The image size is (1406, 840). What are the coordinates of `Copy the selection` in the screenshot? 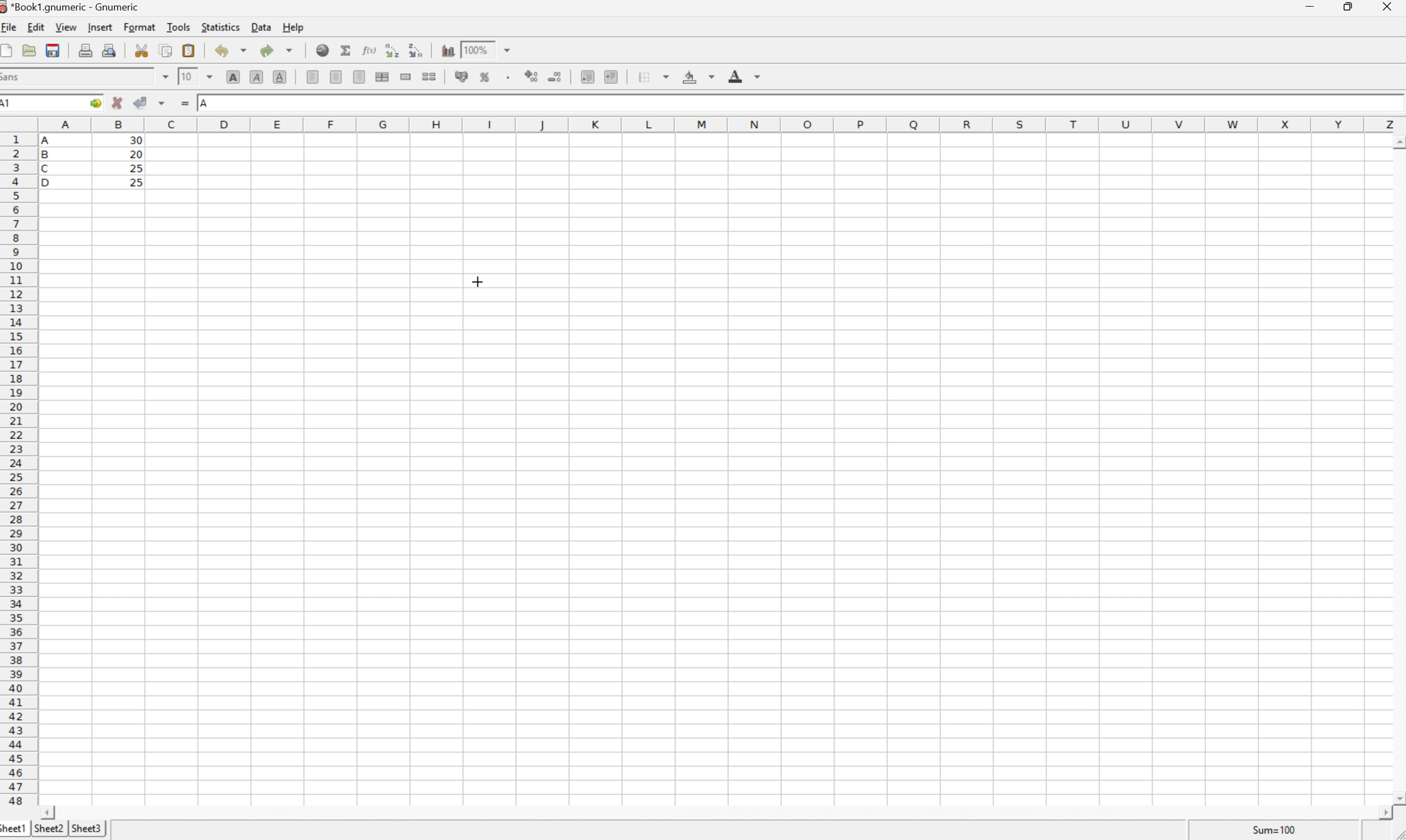 It's located at (166, 52).